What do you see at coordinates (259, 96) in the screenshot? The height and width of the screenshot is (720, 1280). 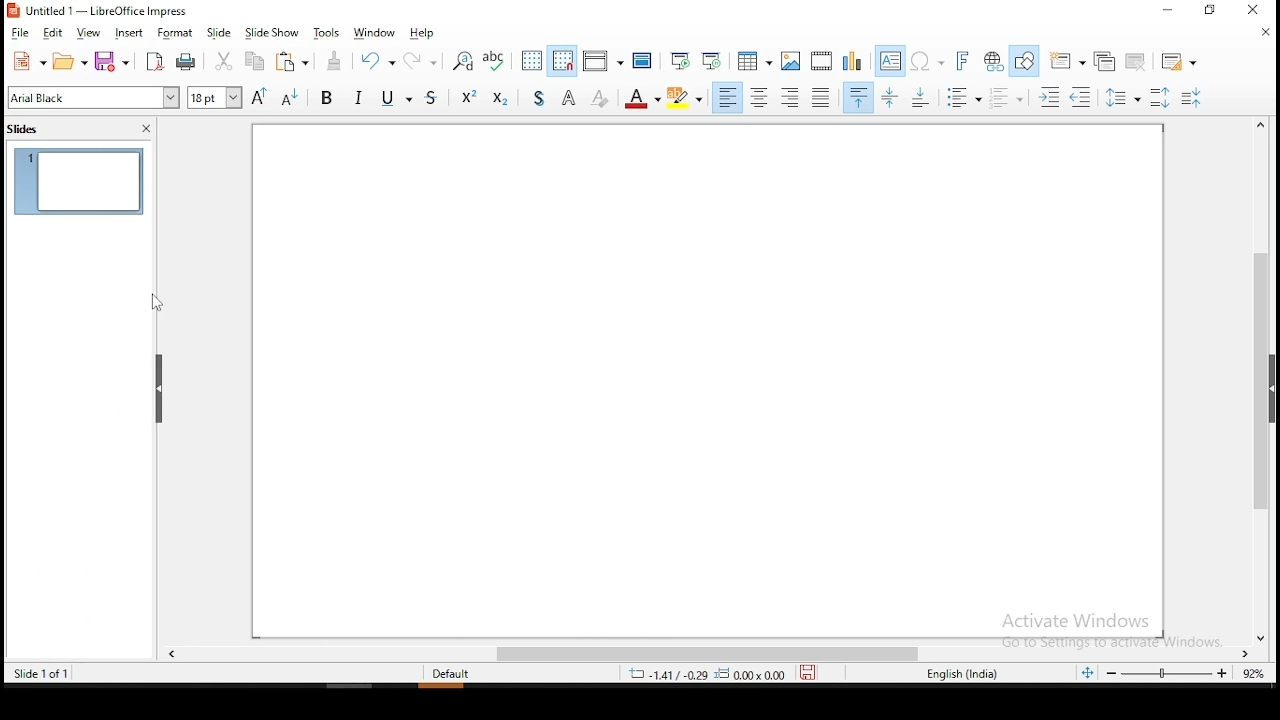 I see `increase font size` at bounding box center [259, 96].